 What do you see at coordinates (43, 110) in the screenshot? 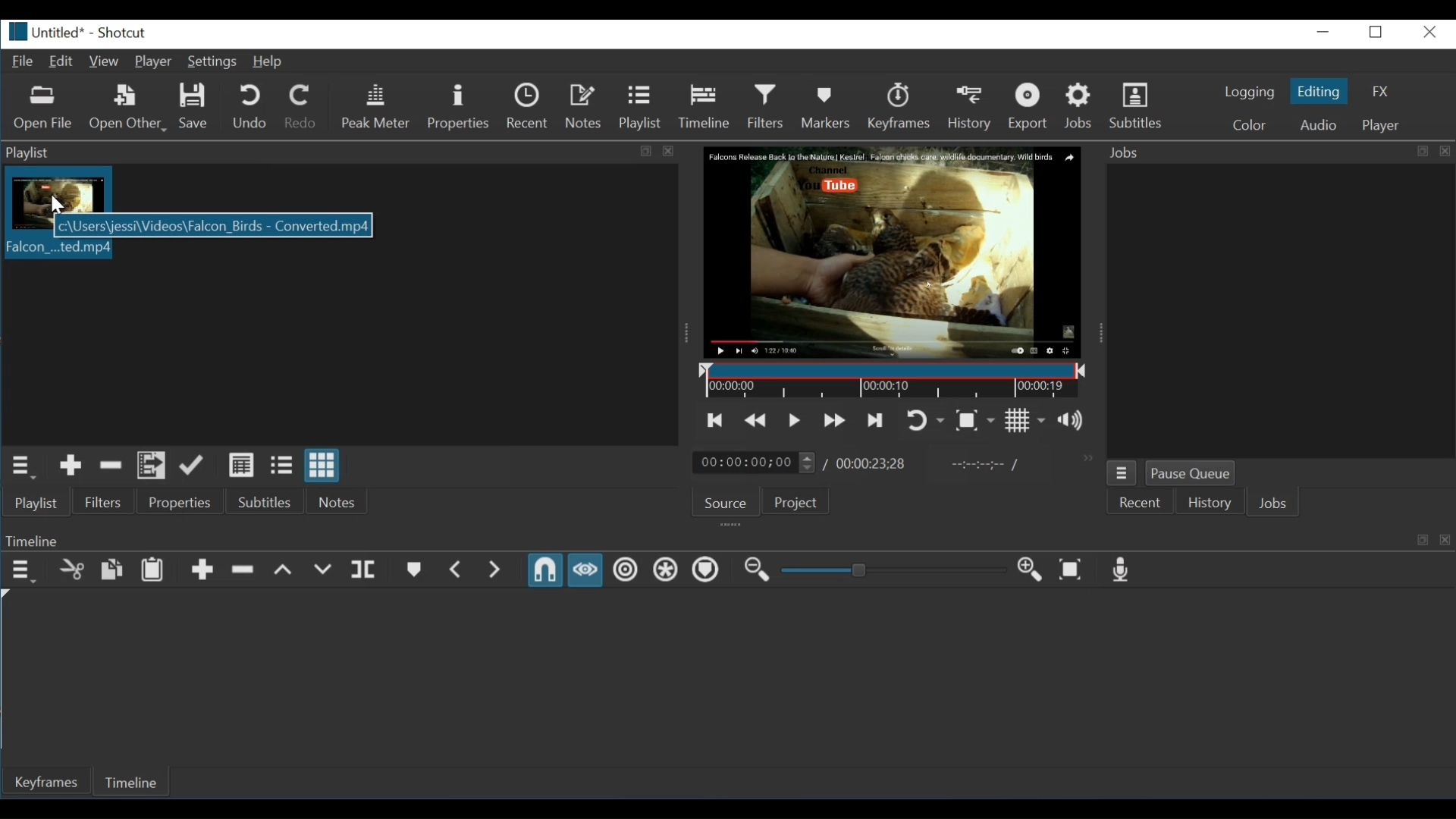
I see `Open File` at bounding box center [43, 110].